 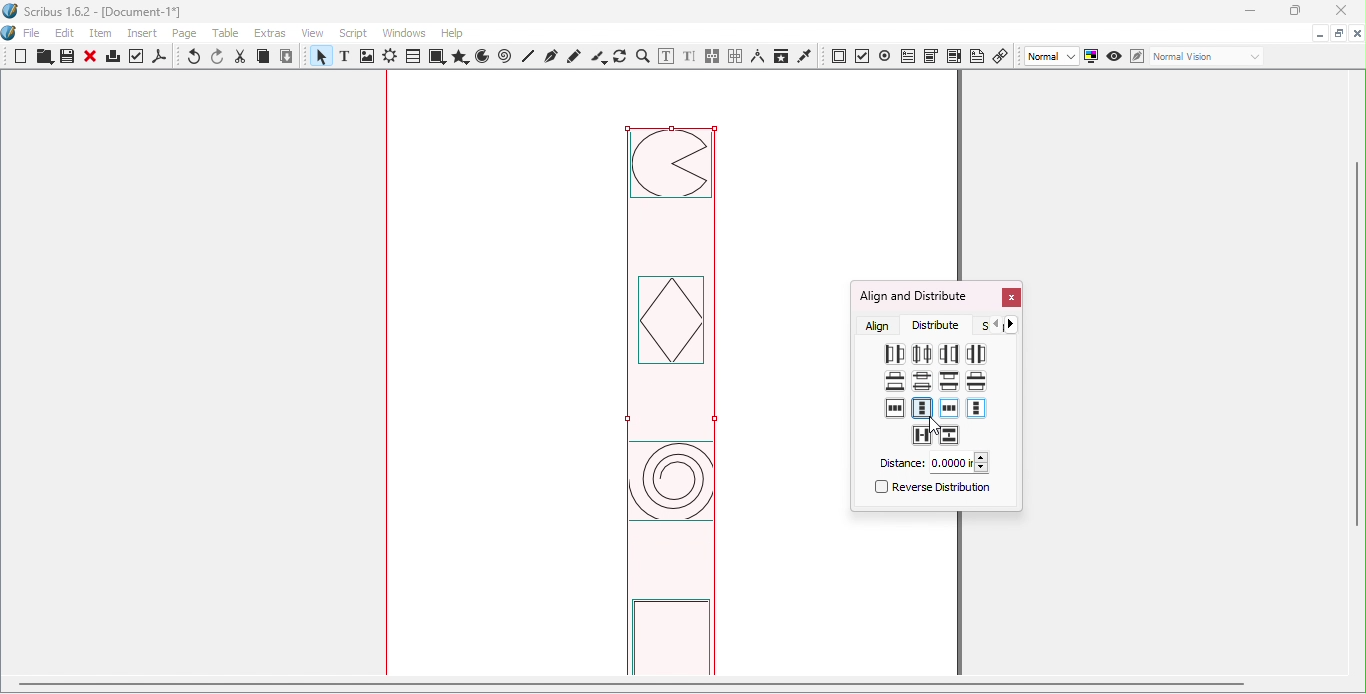 I want to click on Polygon, so click(x=458, y=57).